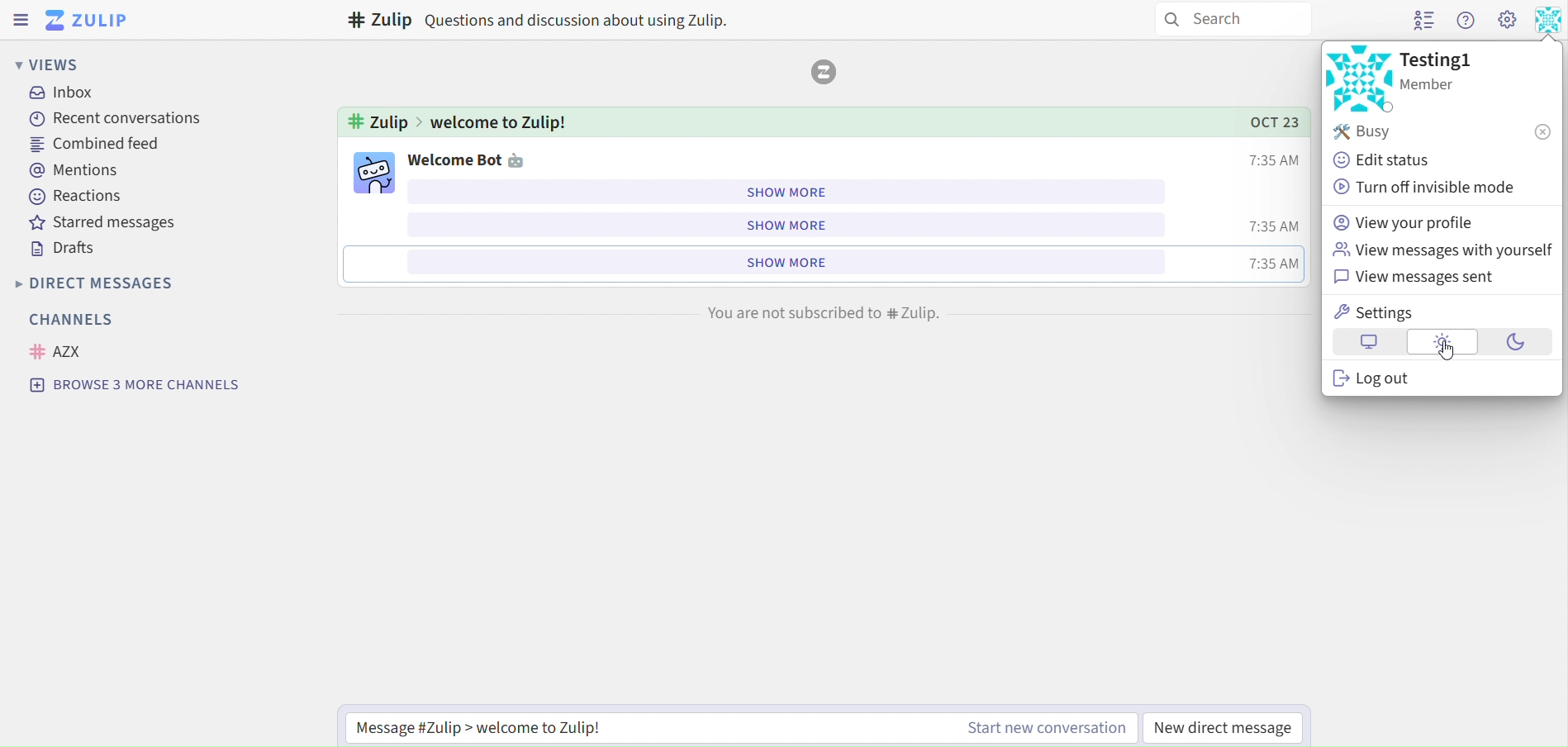 The image size is (1568, 747). What do you see at coordinates (783, 222) in the screenshot?
I see `show more` at bounding box center [783, 222].